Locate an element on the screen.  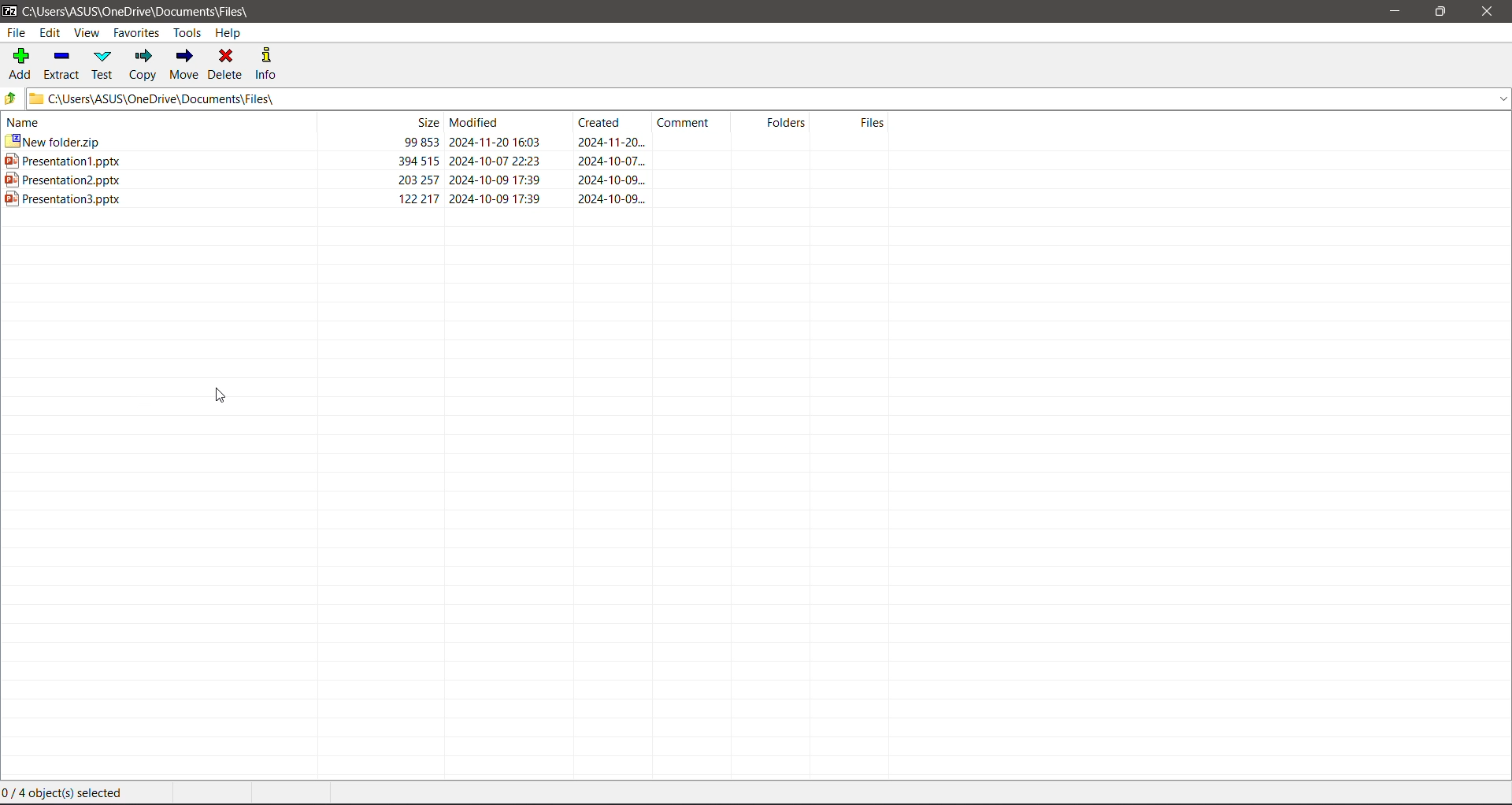
View is located at coordinates (87, 34).